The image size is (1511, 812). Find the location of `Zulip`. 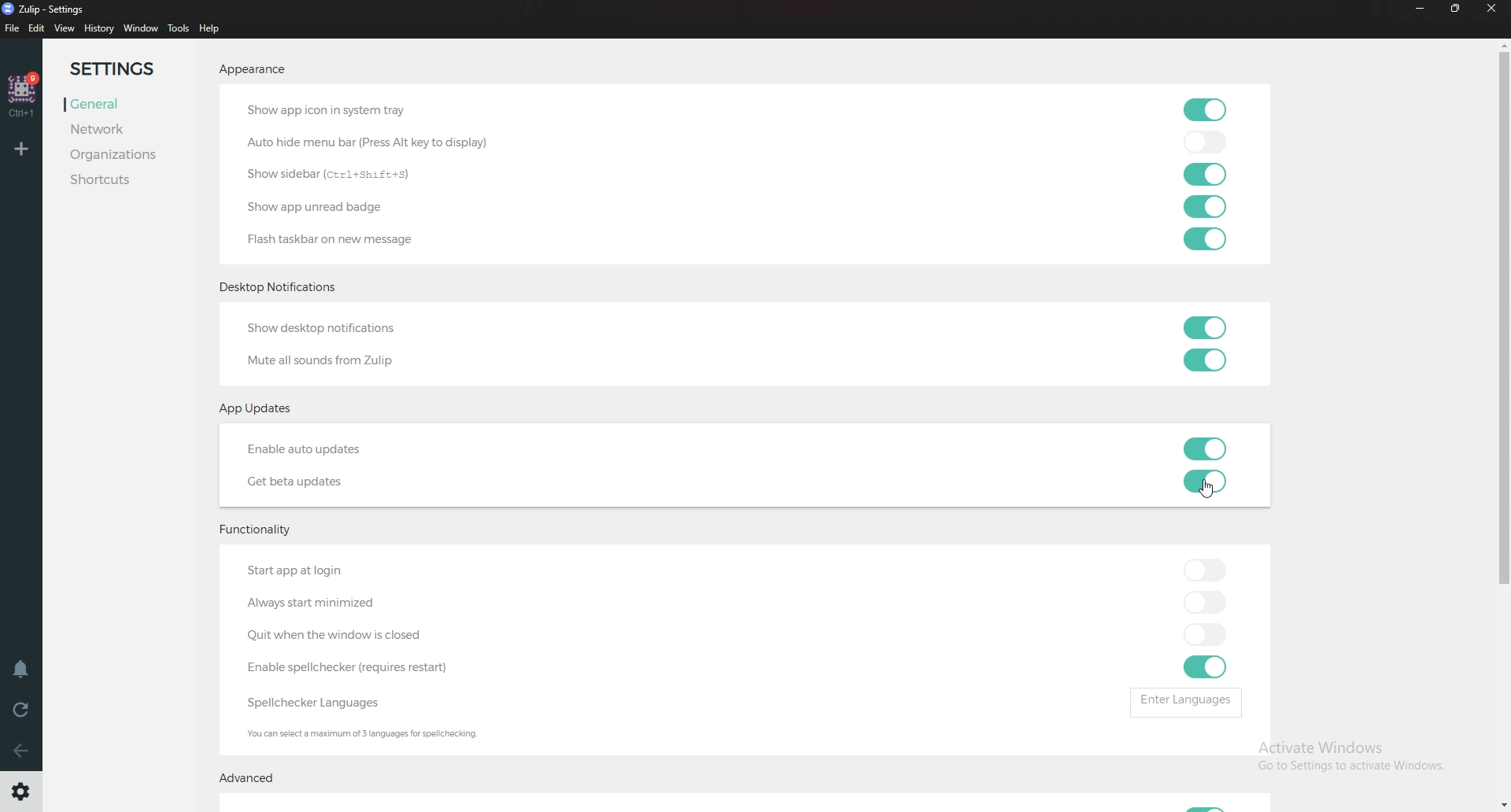

Zulip is located at coordinates (51, 9).